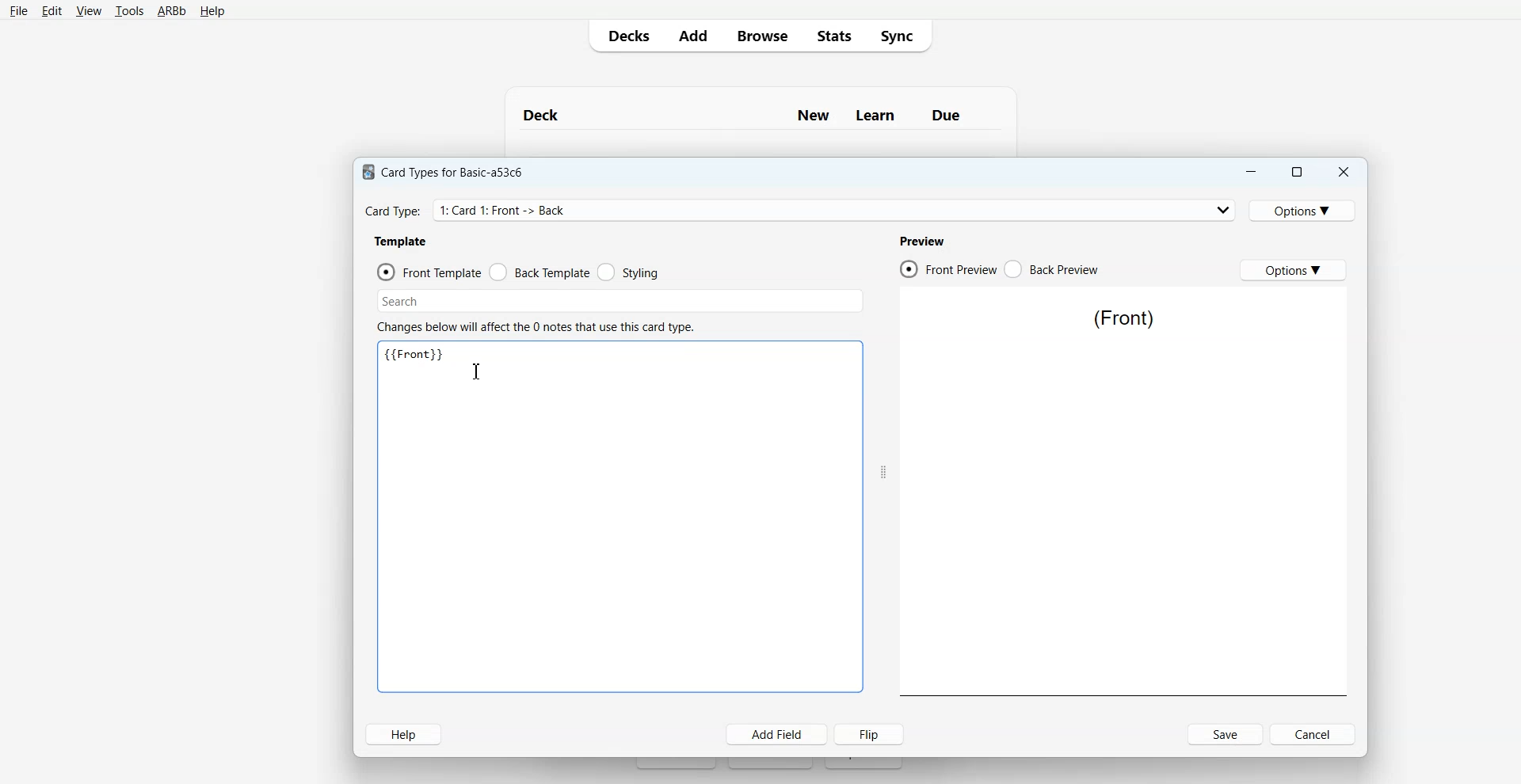 This screenshot has width=1521, height=784. What do you see at coordinates (884, 471) in the screenshot?
I see `Drag Handle` at bounding box center [884, 471].